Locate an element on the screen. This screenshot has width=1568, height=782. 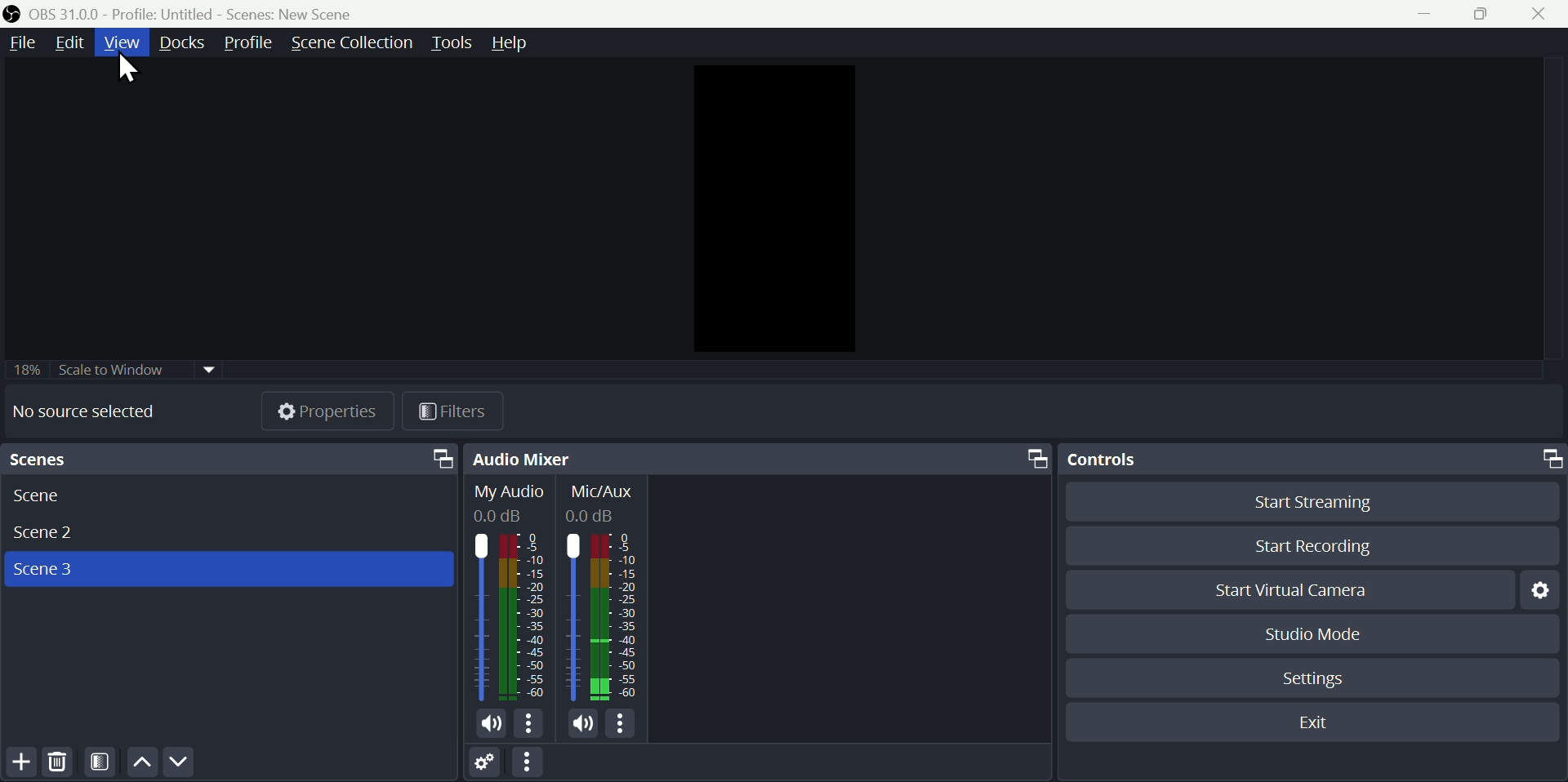
Scale to window is located at coordinates (152, 369).